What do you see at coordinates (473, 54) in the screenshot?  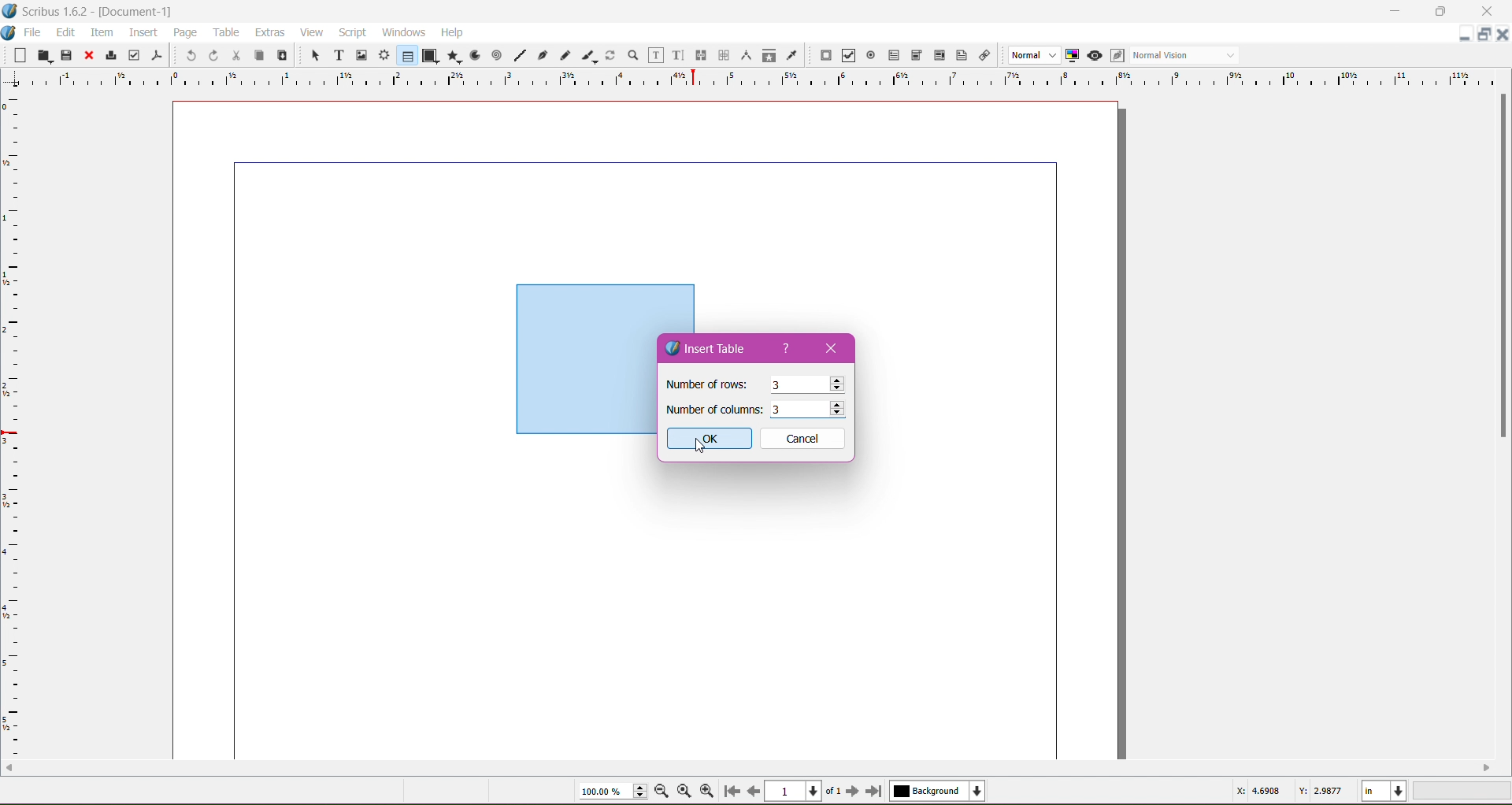 I see `Arc` at bounding box center [473, 54].